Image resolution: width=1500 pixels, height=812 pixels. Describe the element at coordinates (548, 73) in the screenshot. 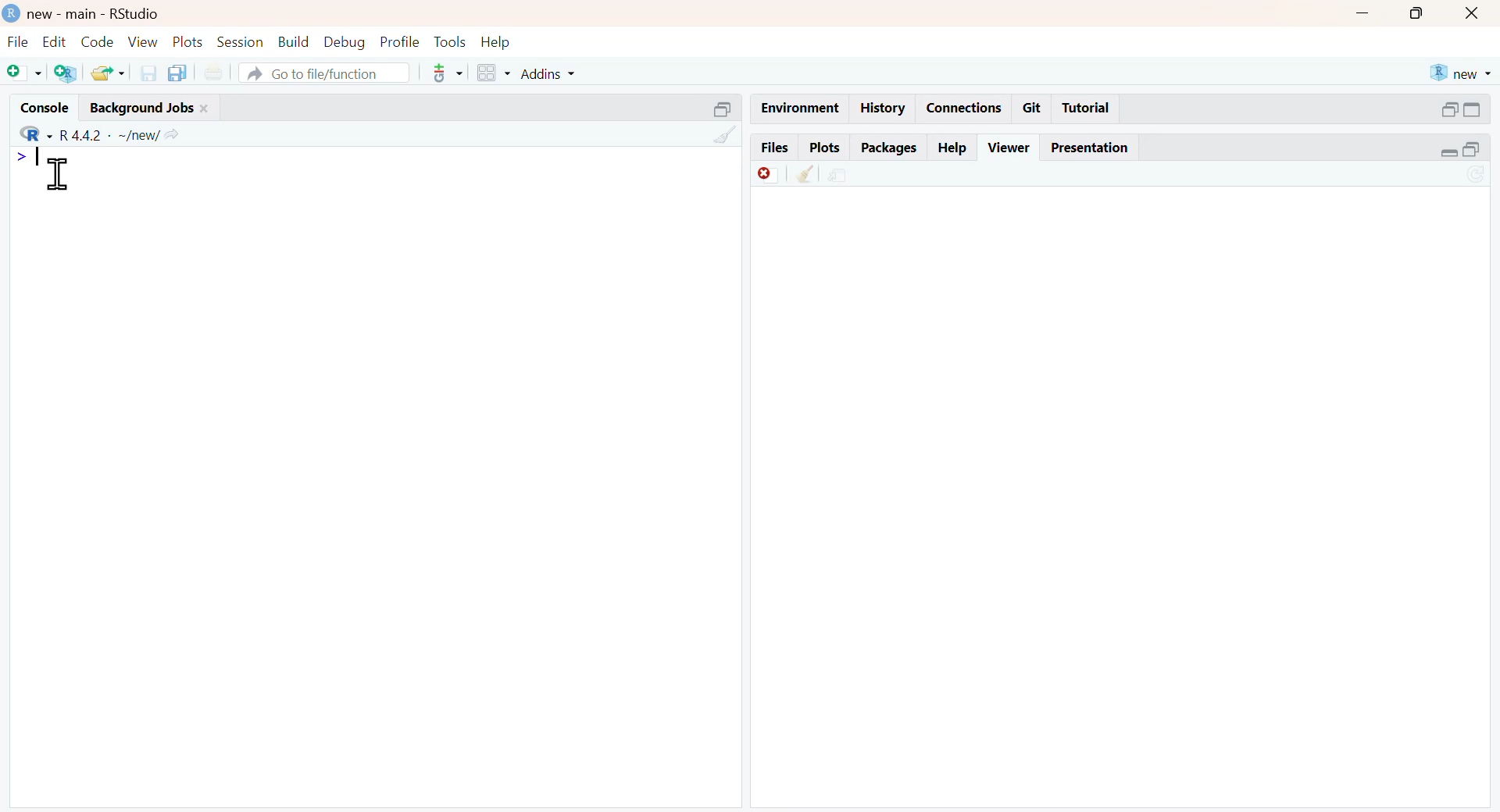

I see `addins` at that location.